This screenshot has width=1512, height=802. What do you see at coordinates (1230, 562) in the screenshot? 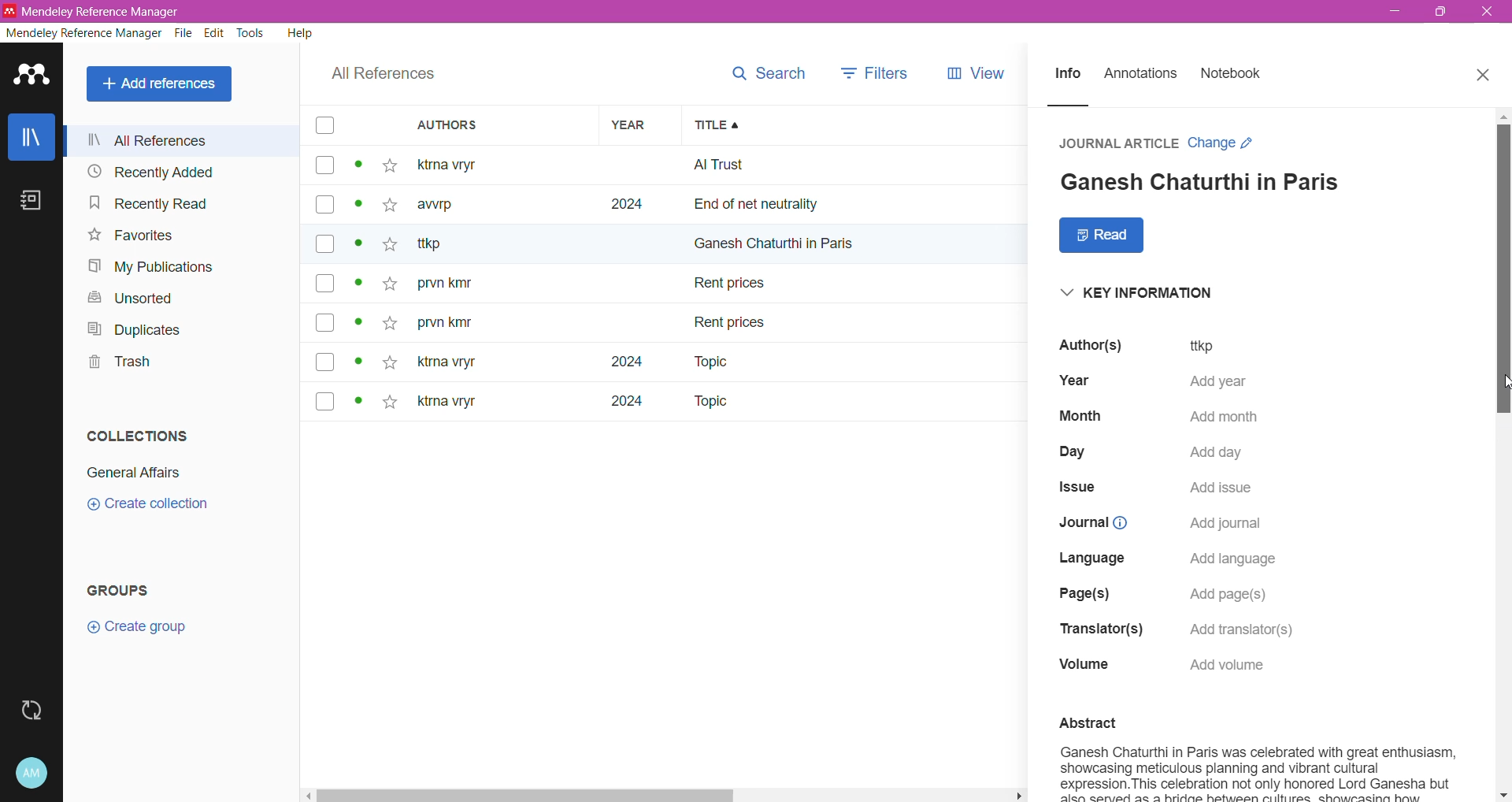
I see `Click to Add Language` at bounding box center [1230, 562].